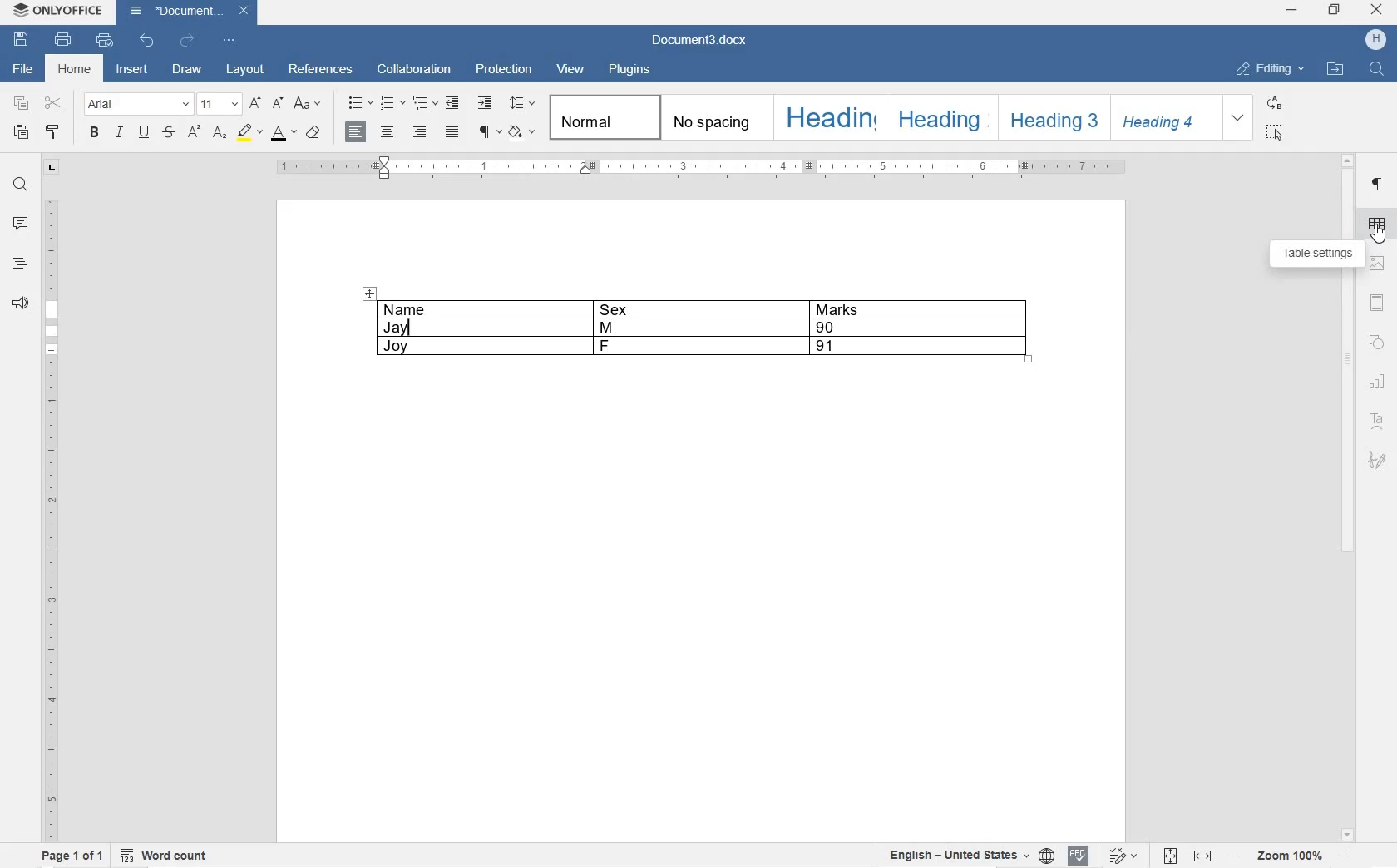  What do you see at coordinates (279, 104) in the screenshot?
I see `DECREMENT FONT SIZE` at bounding box center [279, 104].